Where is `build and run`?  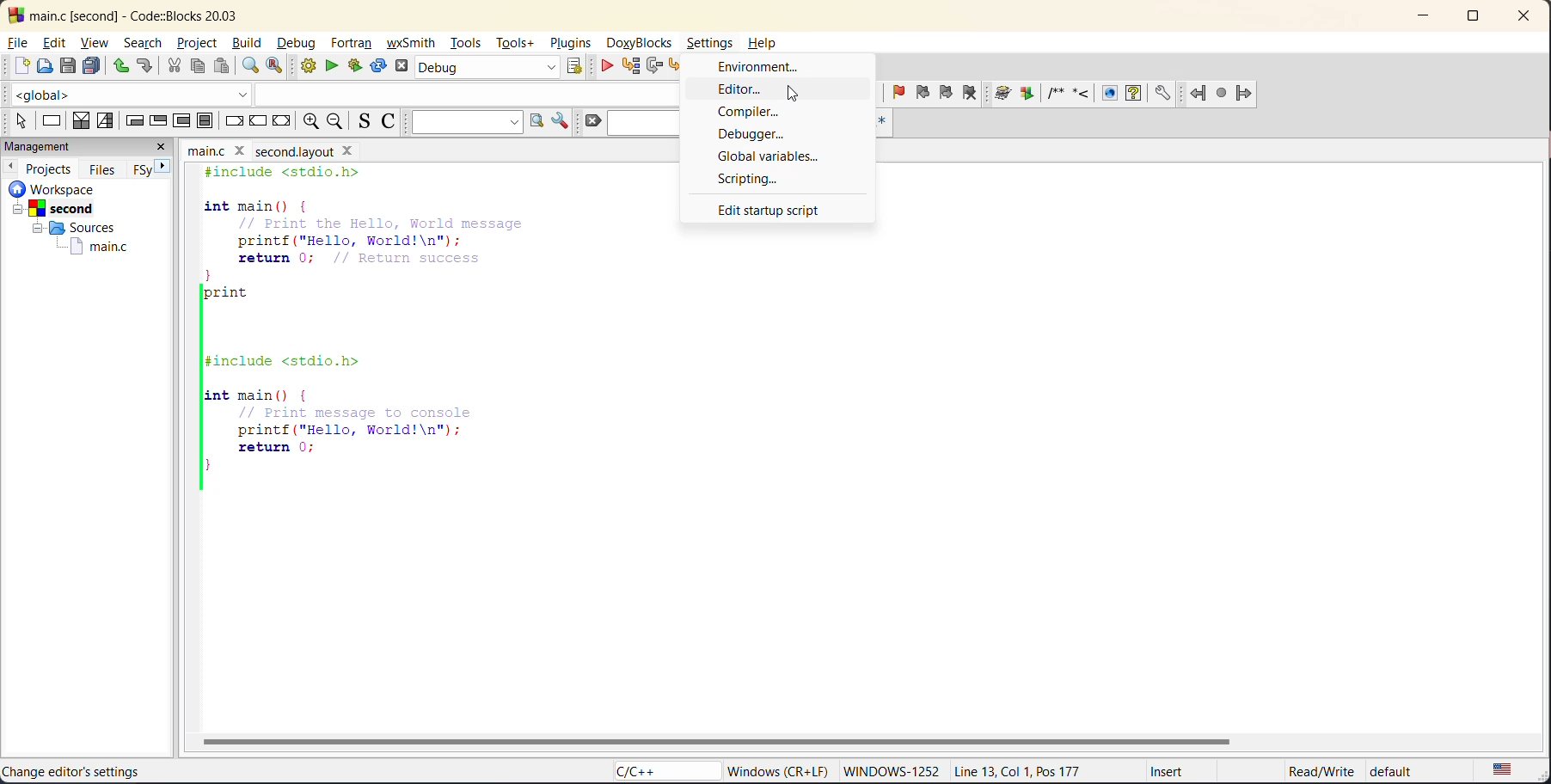 build and run is located at coordinates (361, 65).